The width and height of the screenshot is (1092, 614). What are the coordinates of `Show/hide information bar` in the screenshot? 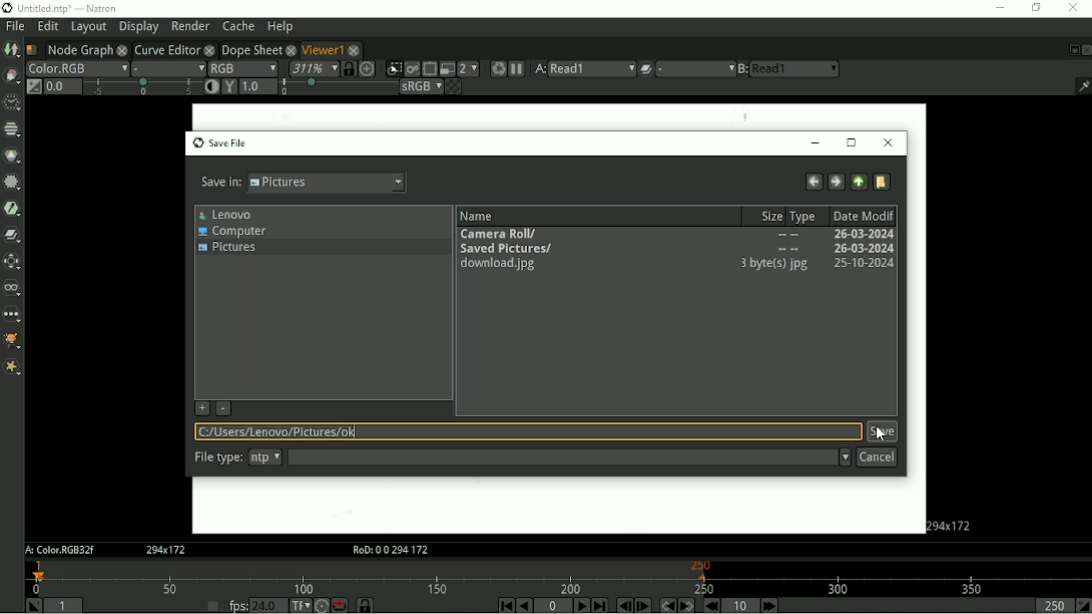 It's located at (1082, 87).